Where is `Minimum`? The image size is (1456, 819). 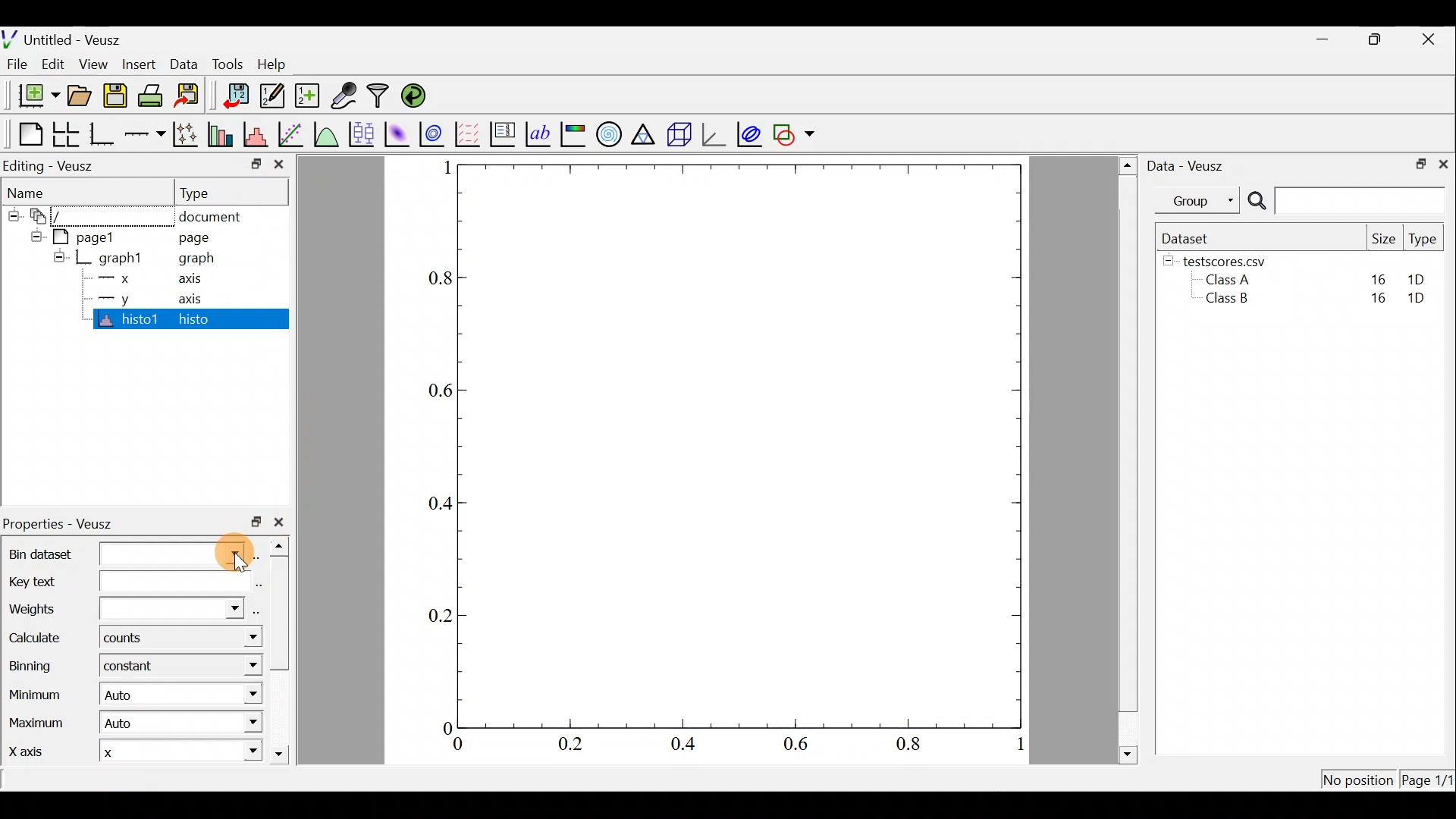 Minimum is located at coordinates (37, 694).